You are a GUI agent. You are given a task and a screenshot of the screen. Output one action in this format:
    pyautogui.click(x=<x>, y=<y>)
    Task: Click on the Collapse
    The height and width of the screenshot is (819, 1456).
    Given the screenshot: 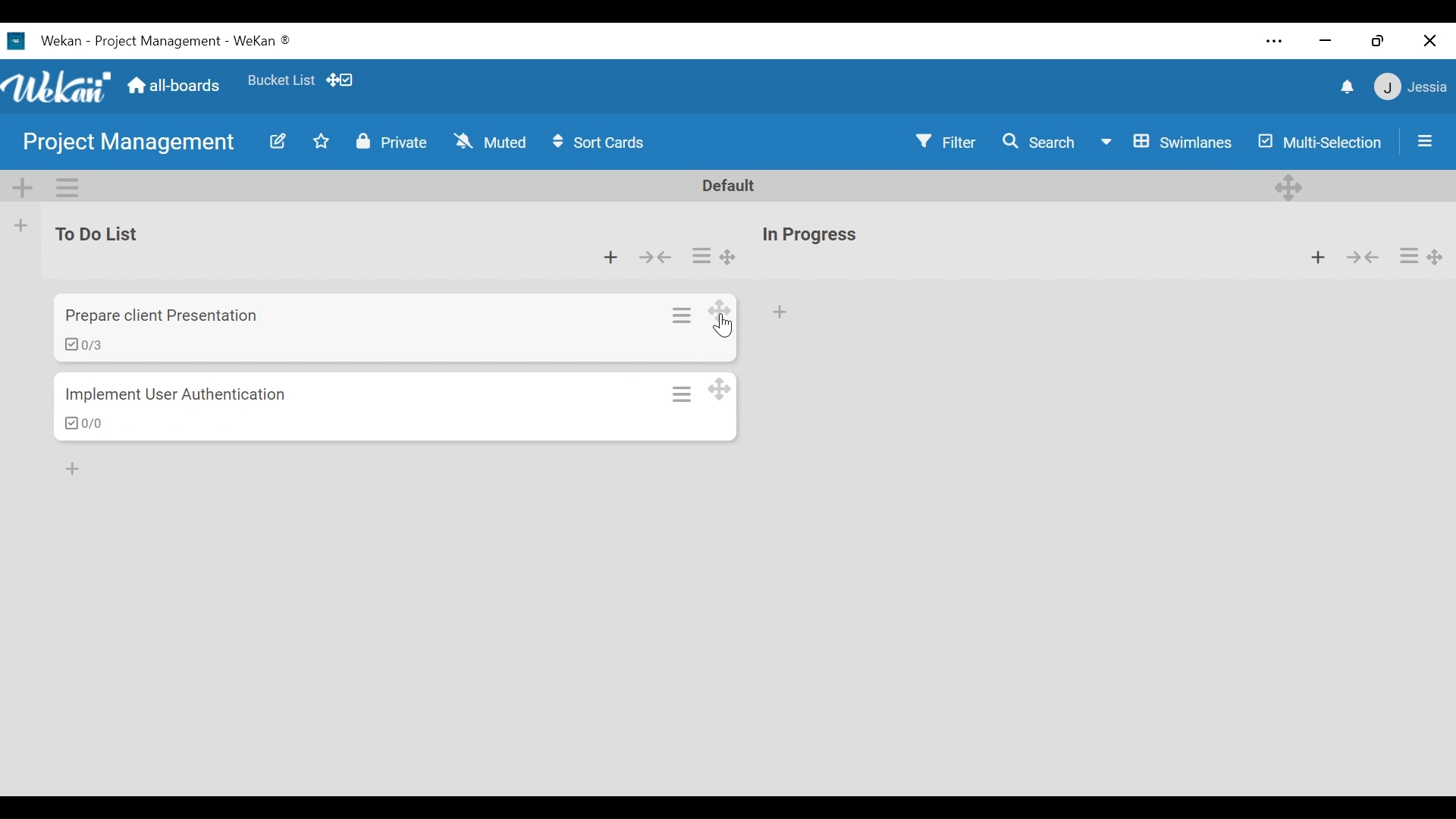 What is the action you would take?
    pyautogui.click(x=656, y=257)
    